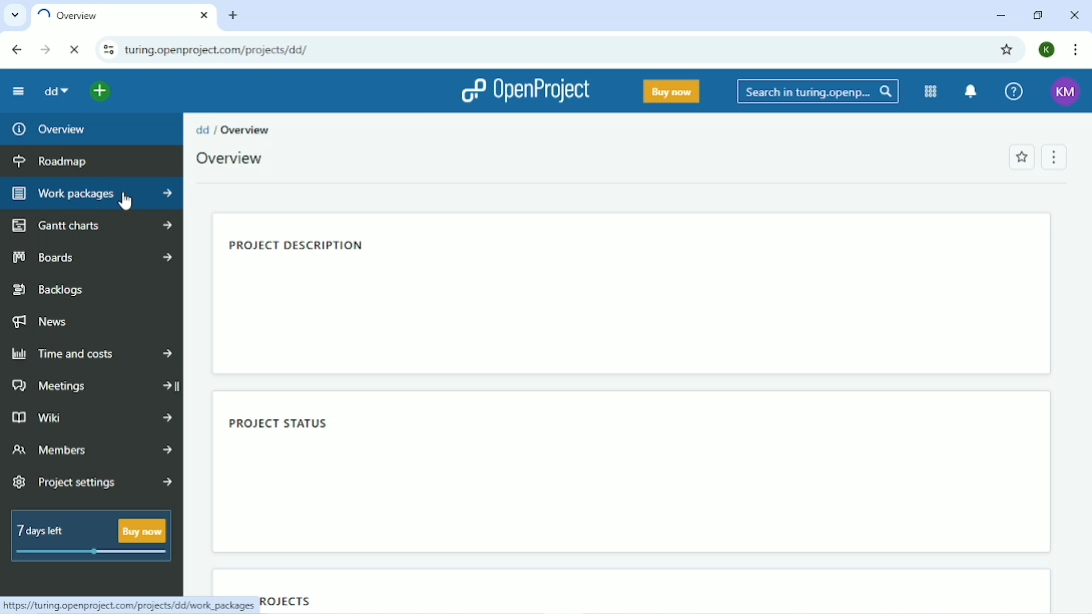 The height and width of the screenshot is (614, 1092). What do you see at coordinates (1055, 156) in the screenshot?
I see `Menu` at bounding box center [1055, 156].